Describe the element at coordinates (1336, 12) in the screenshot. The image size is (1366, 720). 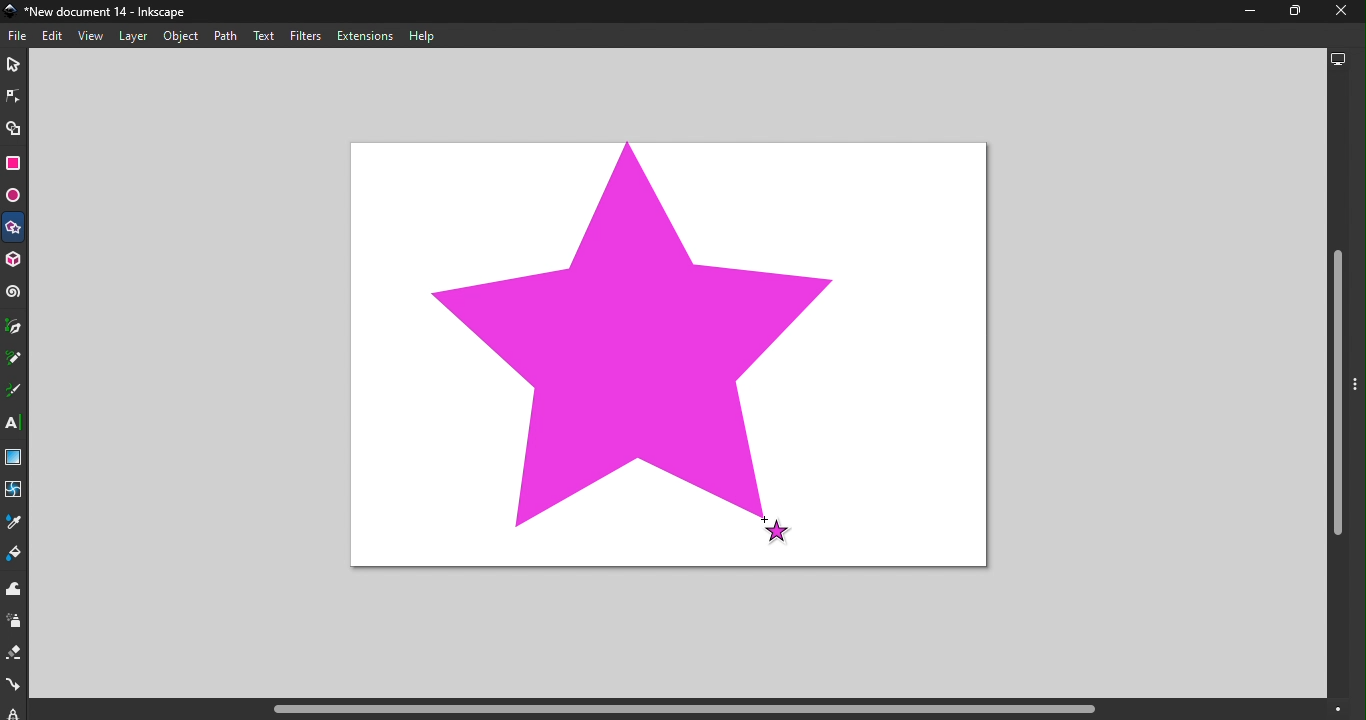
I see `close` at that location.